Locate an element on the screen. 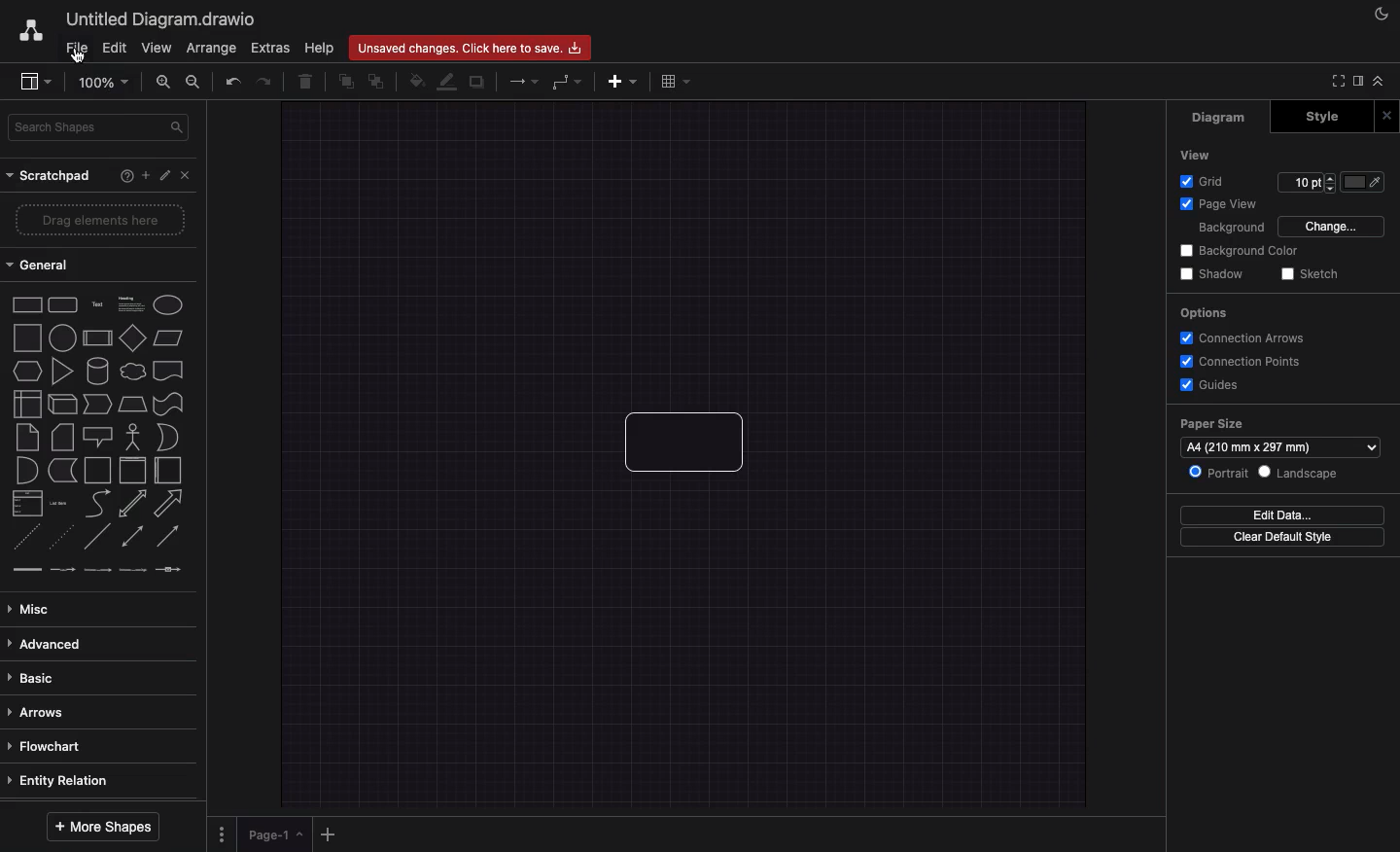 The image size is (1400, 852). Search shapes is located at coordinates (95, 128).